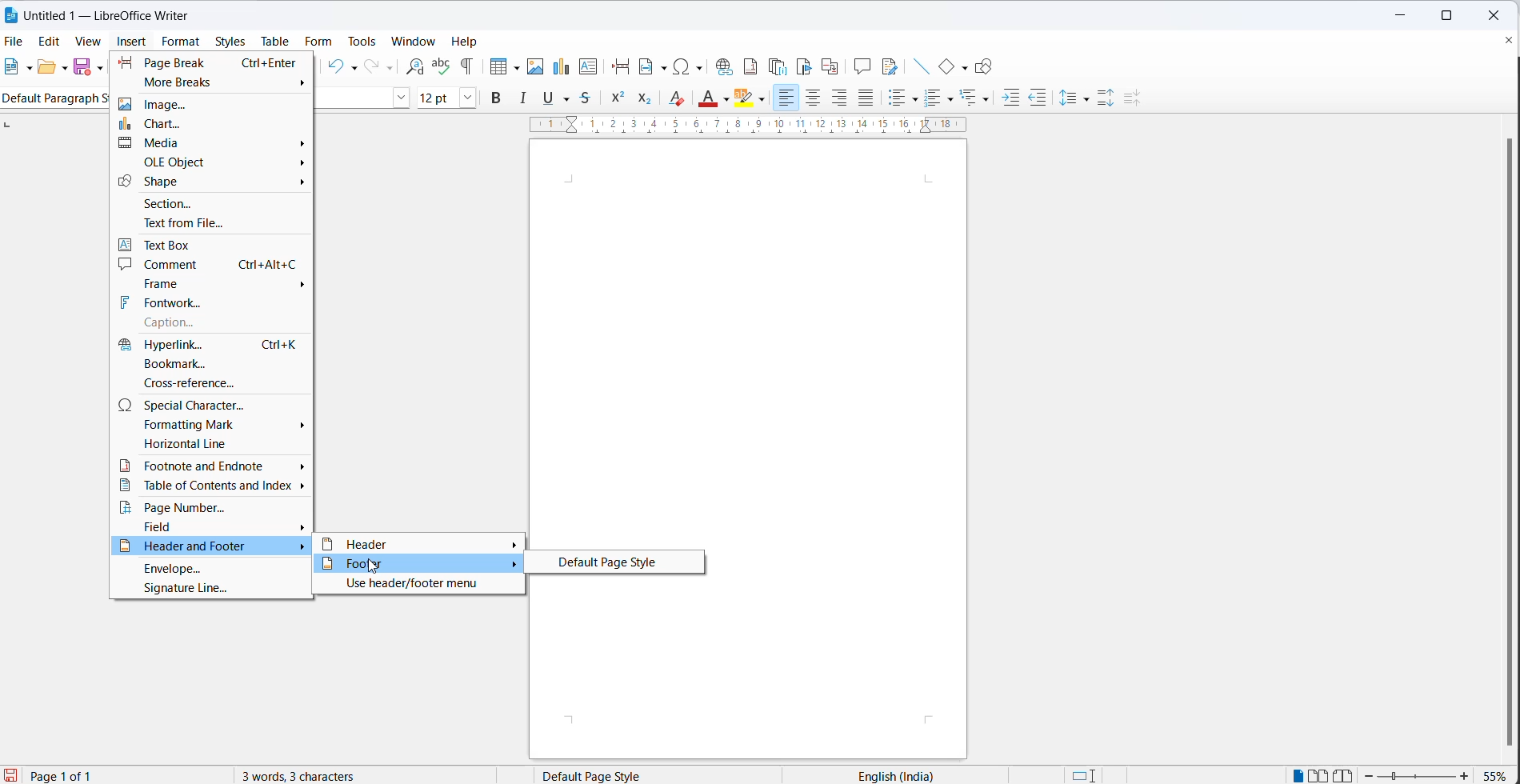 The image size is (1520, 784). What do you see at coordinates (134, 40) in the screenshot?
I see `insert` at bounding box center [134, 40].